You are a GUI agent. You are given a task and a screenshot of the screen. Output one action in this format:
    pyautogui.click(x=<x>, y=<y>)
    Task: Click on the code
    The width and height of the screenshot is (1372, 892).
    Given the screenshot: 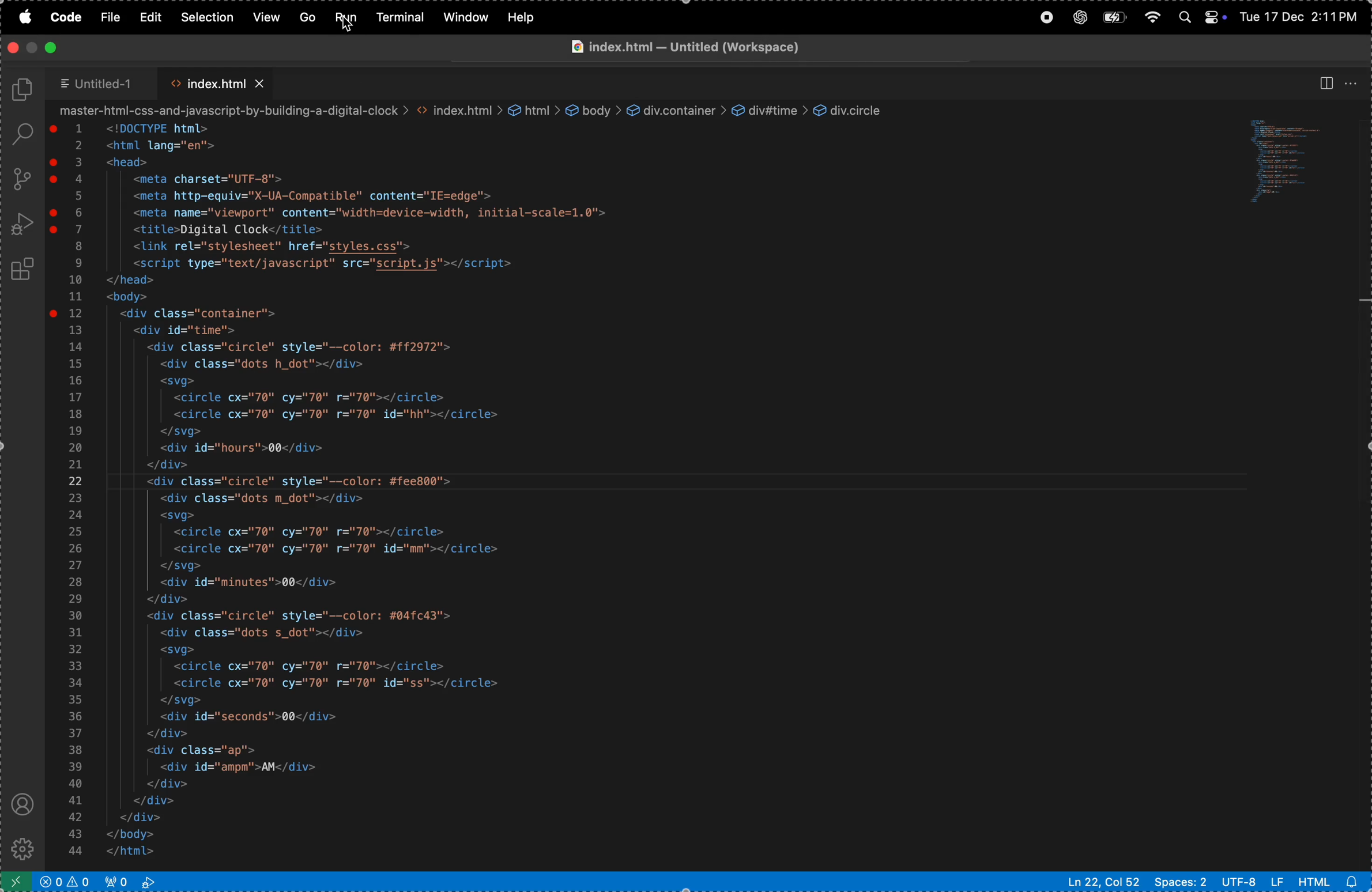 What is the action you would take?
    pyautogui.click(x=69, y=16)
    